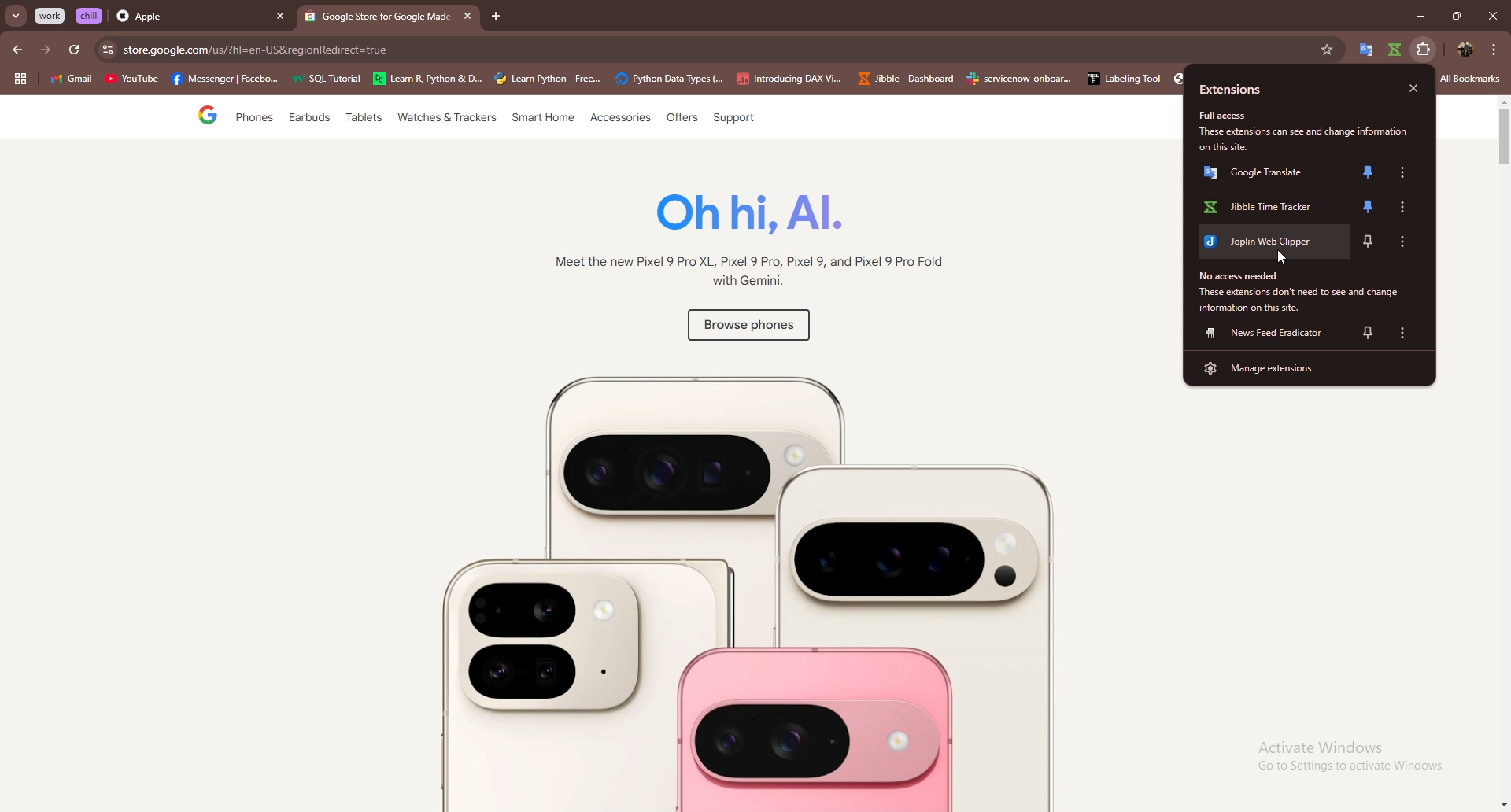 The image size is (1511, 812). I want to click on XE Jibble Time Tracker, so click(1264, 209).